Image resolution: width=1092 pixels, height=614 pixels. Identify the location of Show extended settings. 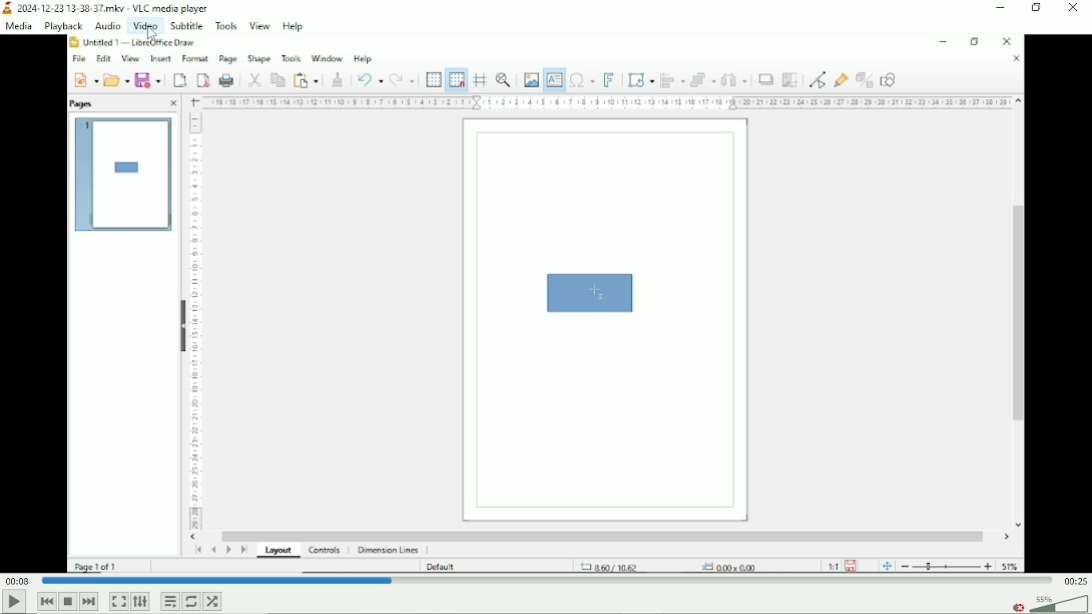
(140, 602).